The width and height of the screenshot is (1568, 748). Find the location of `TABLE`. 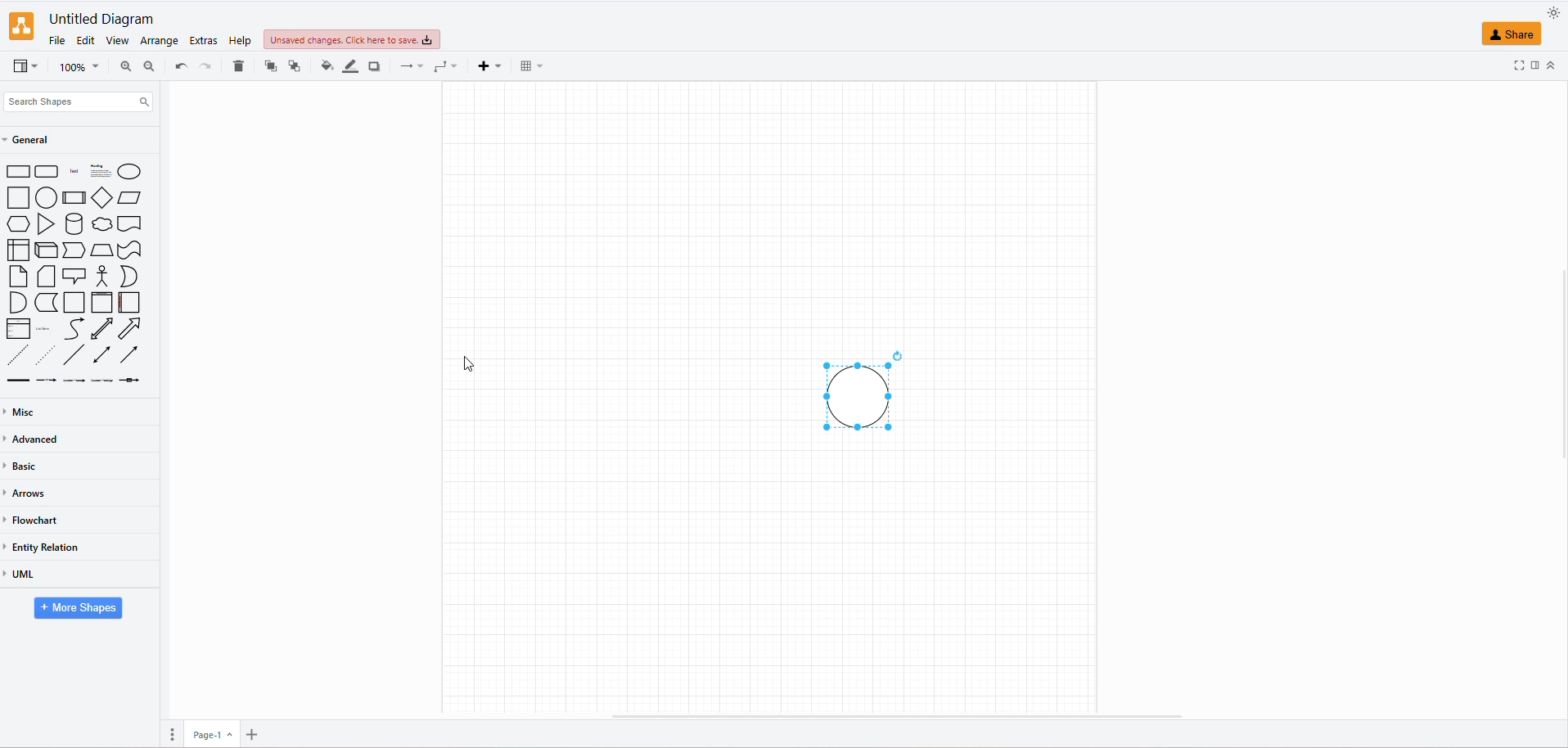

TABLE is located at coordinates (526, 70).